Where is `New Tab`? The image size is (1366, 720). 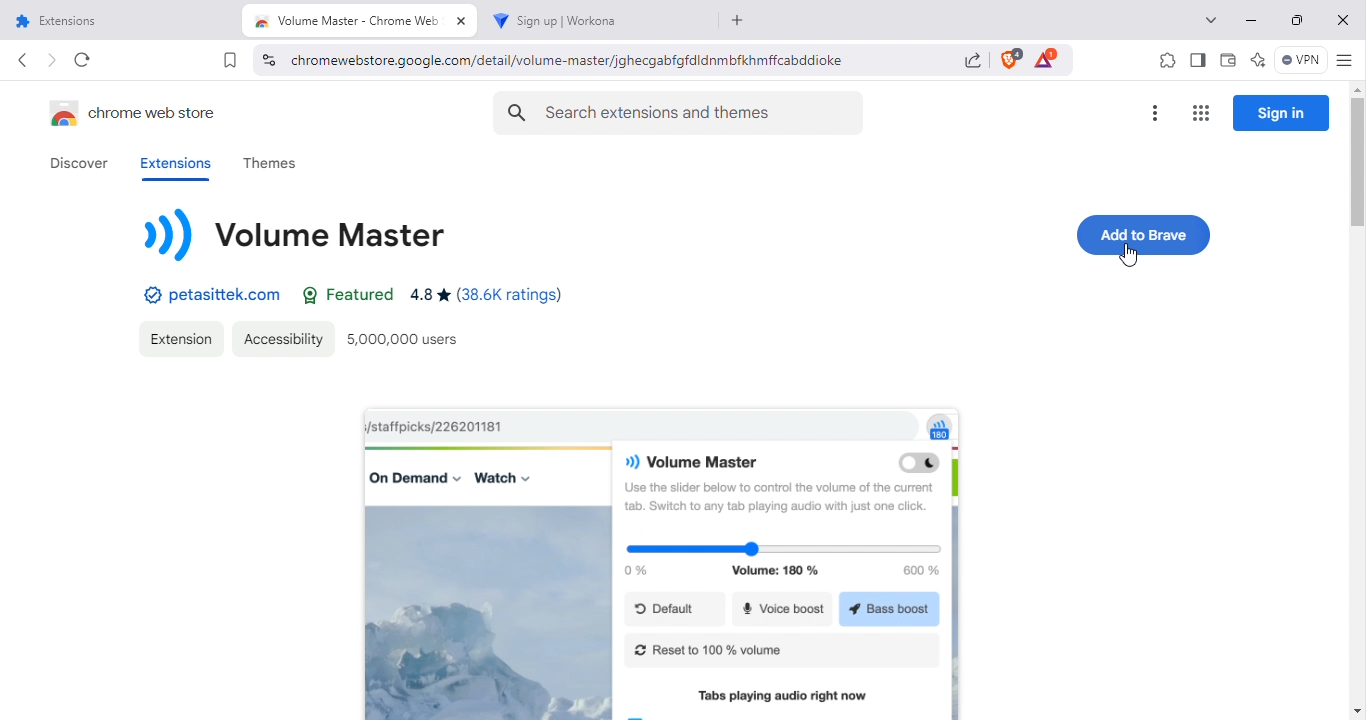
New Tab is located at coordinates (740, 20).